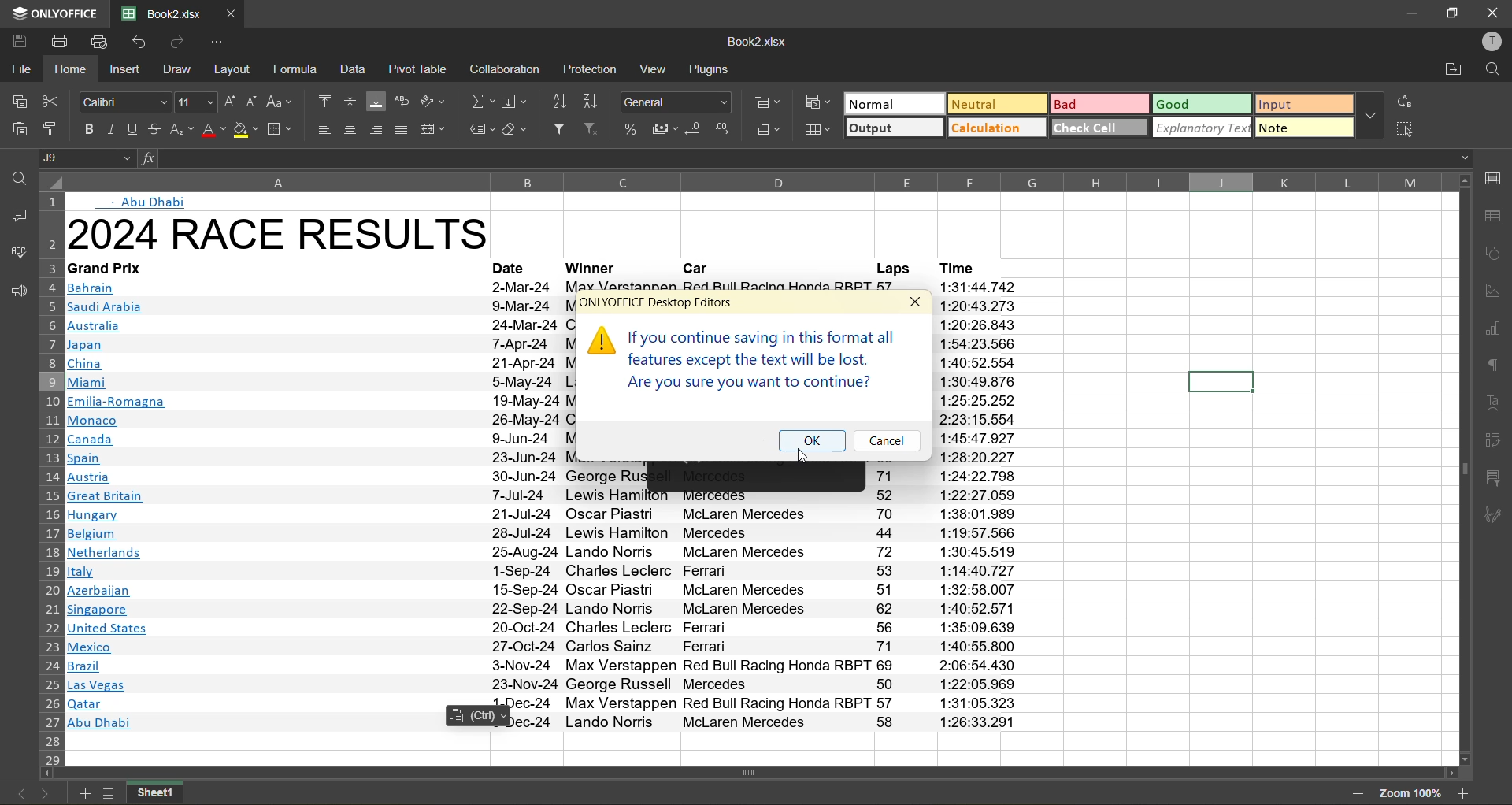 The width and height of the screenshot is (1512, 805). What do you see at coordinates (56, 100) in the screenshot?
I see `cut` at bounding box center [56, 100].